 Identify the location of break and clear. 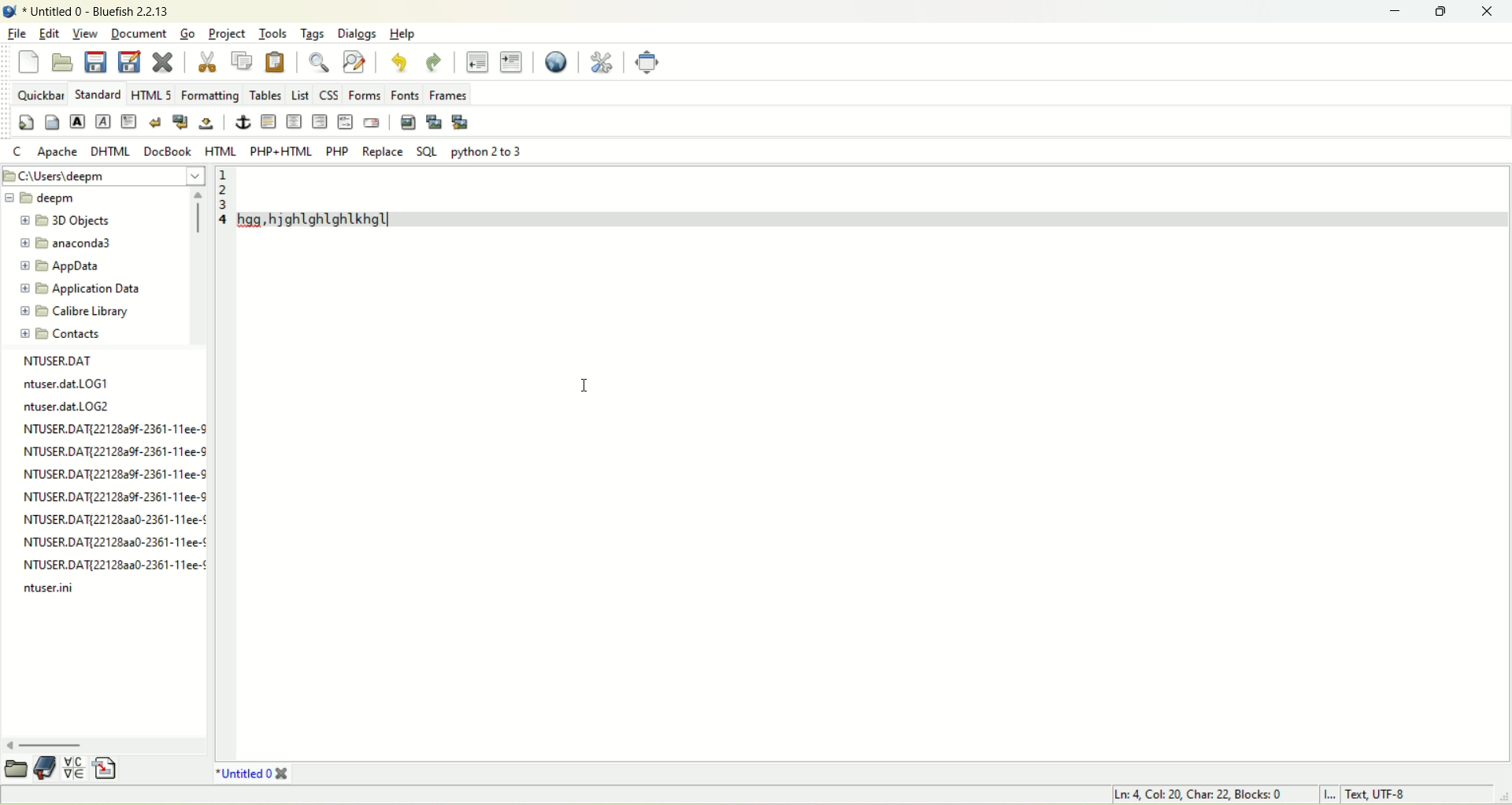
(180, 122).